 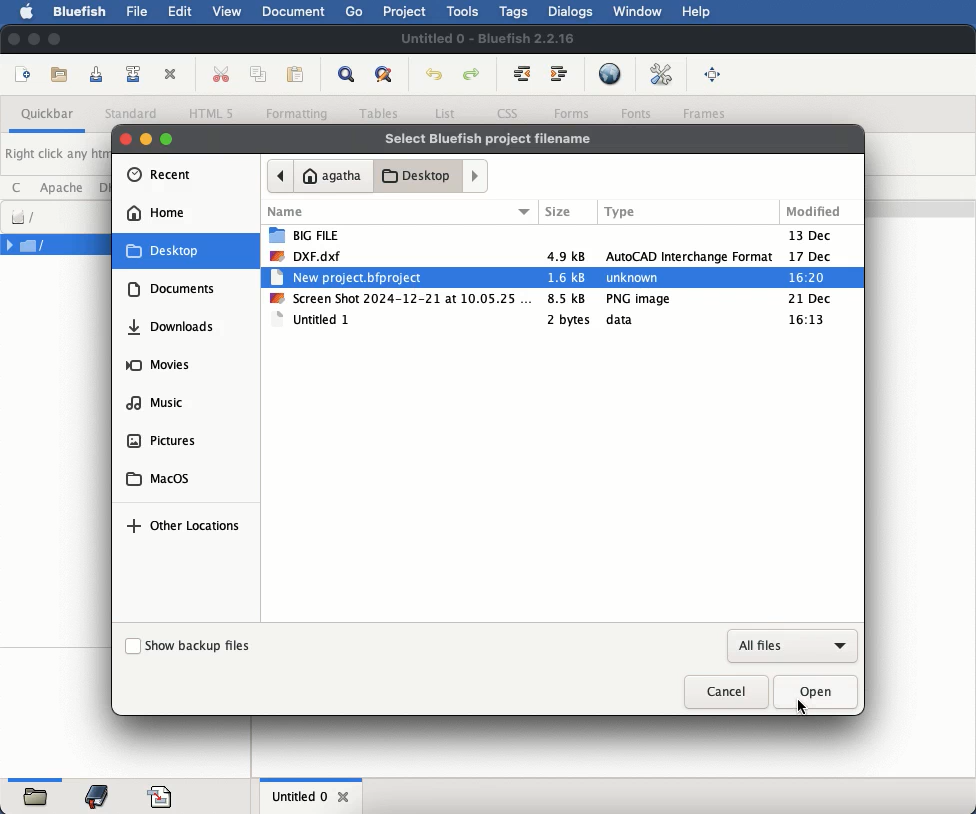 What do you see at coordinates (346, 800) in the screenshot?
I see `close` at bounding box center [346, 800].